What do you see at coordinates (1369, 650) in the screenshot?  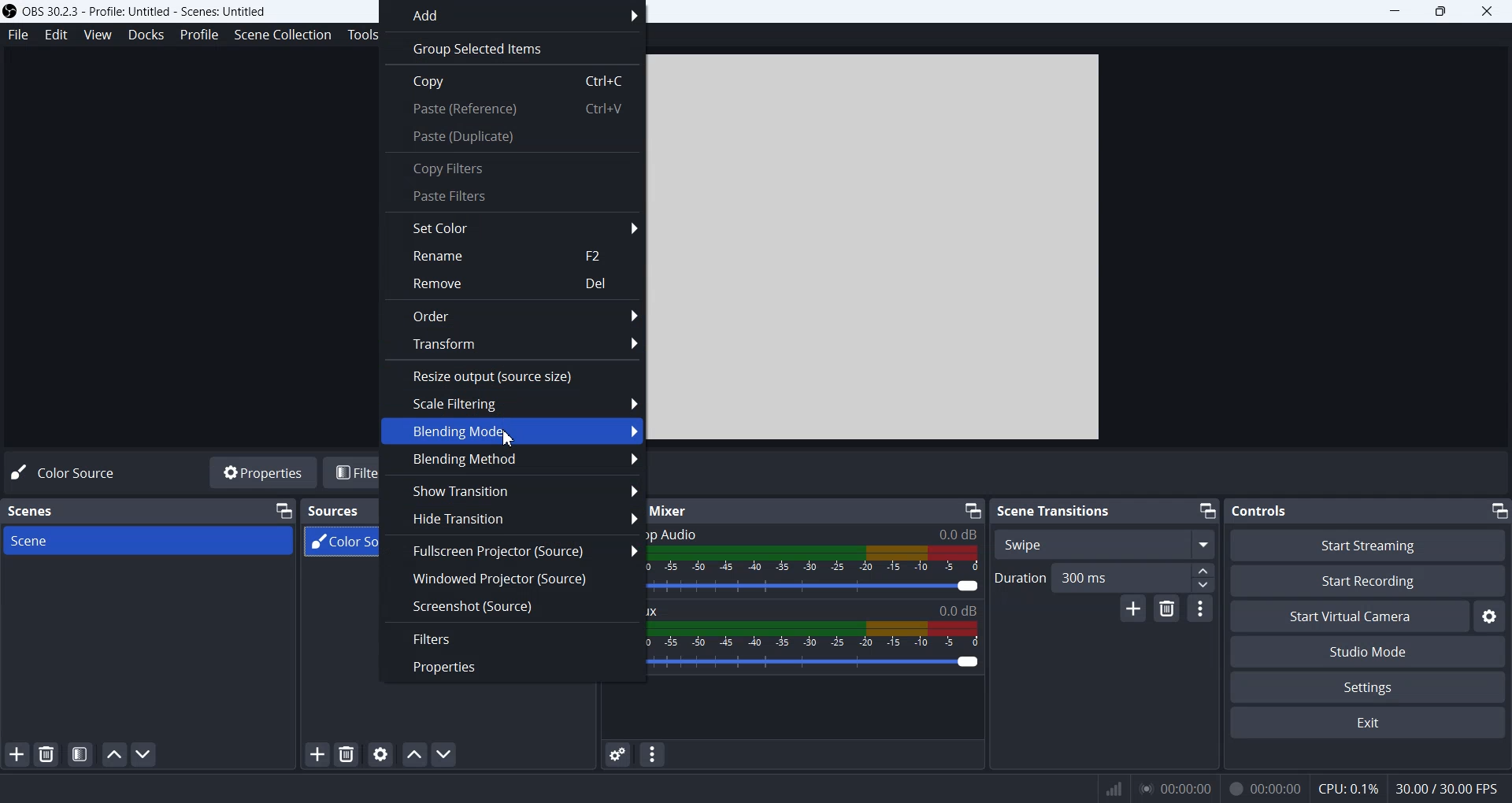 I see `Studio Mode` at bounding box center [1369, 650].